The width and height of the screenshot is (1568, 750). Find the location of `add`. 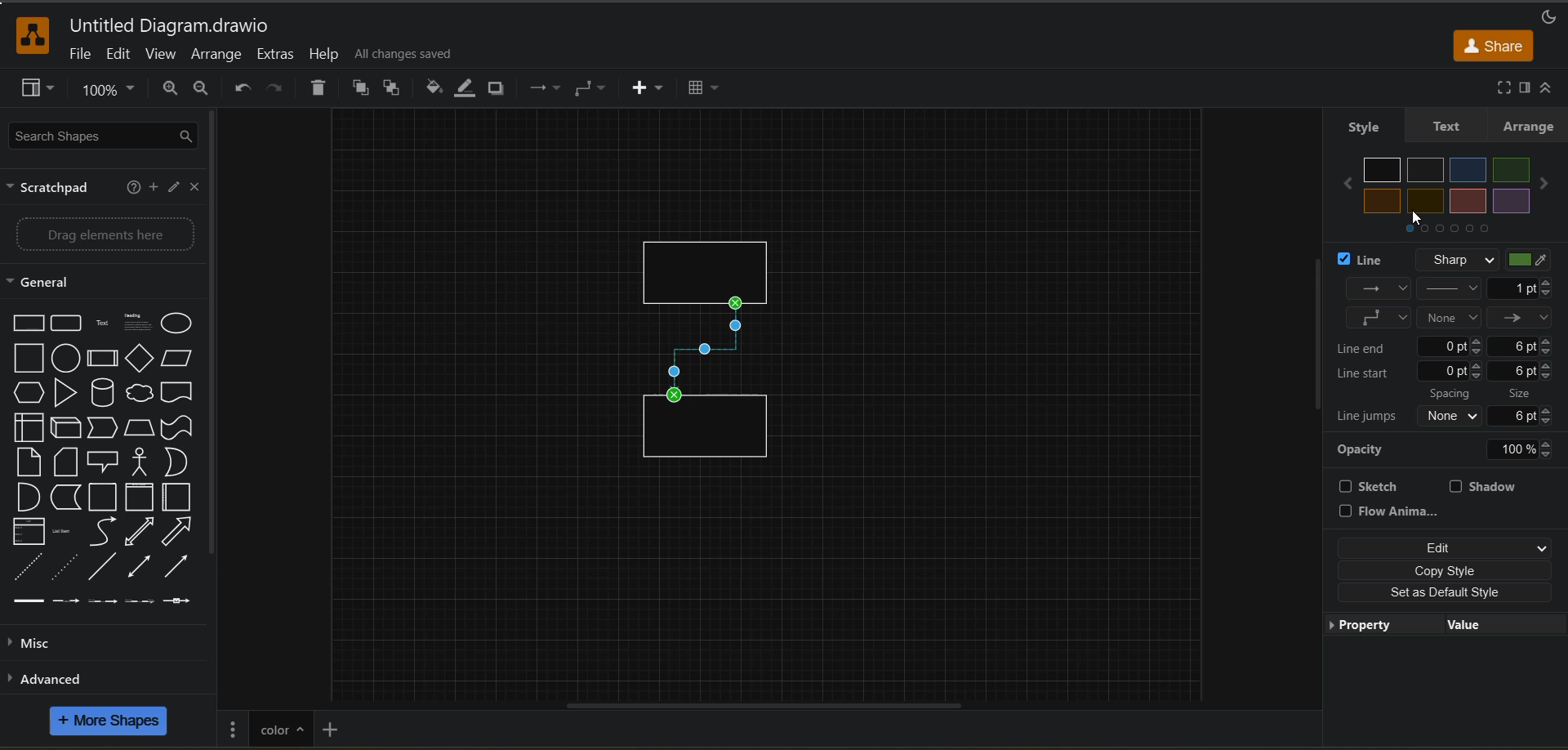

add is located at coordinates (155, 187).